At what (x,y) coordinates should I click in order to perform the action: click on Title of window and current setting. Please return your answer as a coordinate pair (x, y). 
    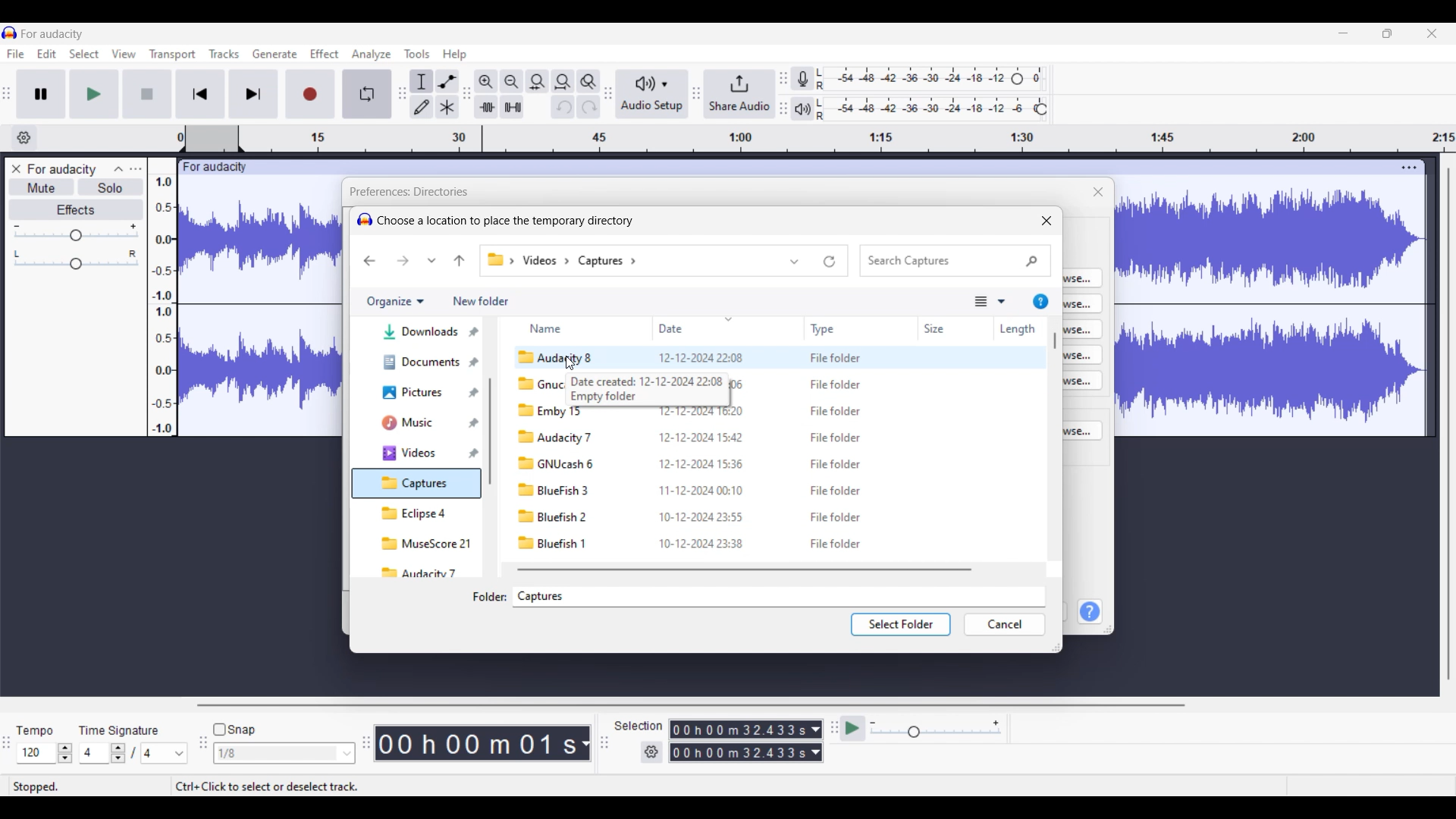
    Looking at the image, I should click on (407, 192).